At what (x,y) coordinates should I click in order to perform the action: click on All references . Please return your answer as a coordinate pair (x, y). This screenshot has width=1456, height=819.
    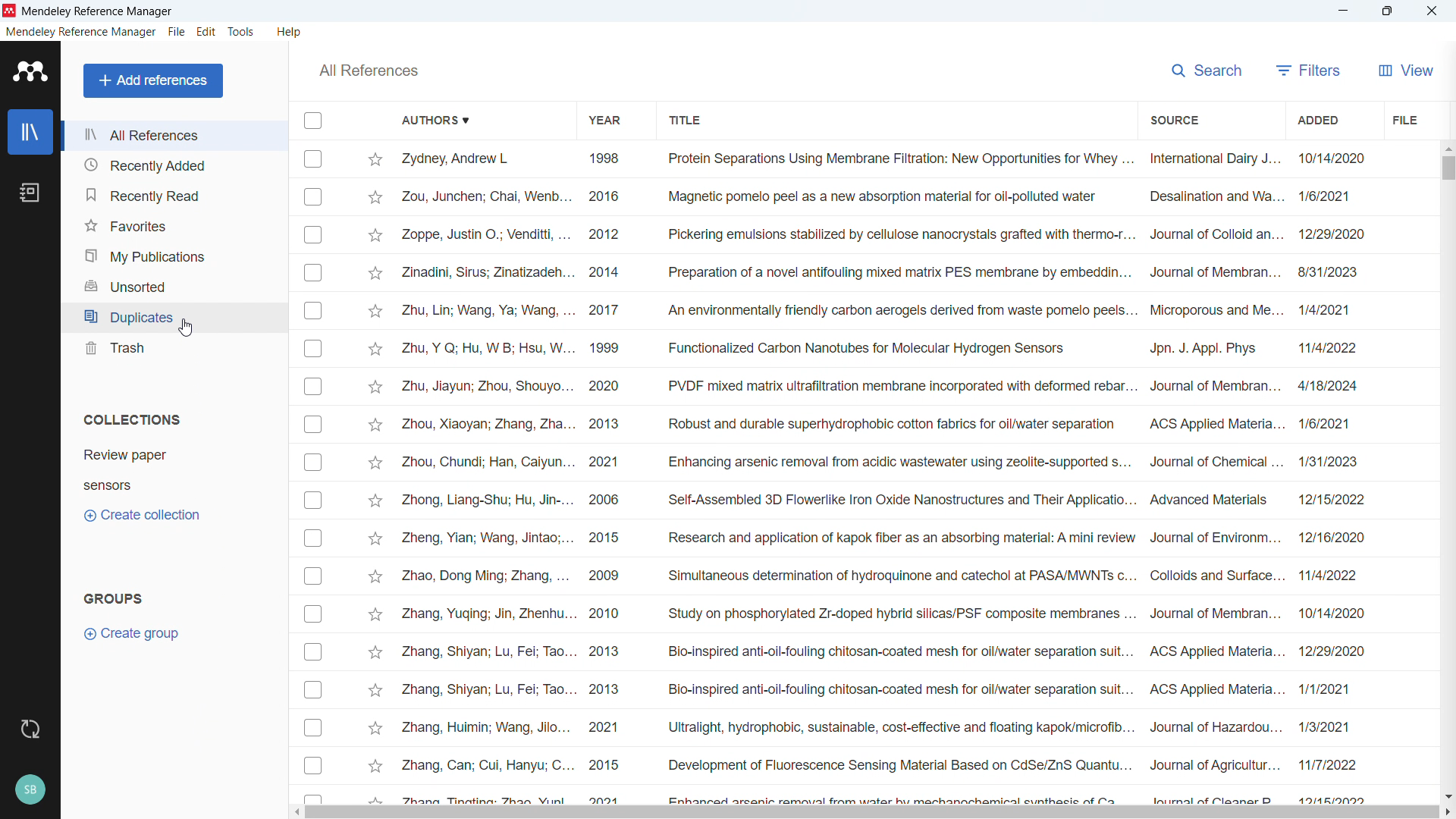
    Looking at the image, I should click on (369, 71).